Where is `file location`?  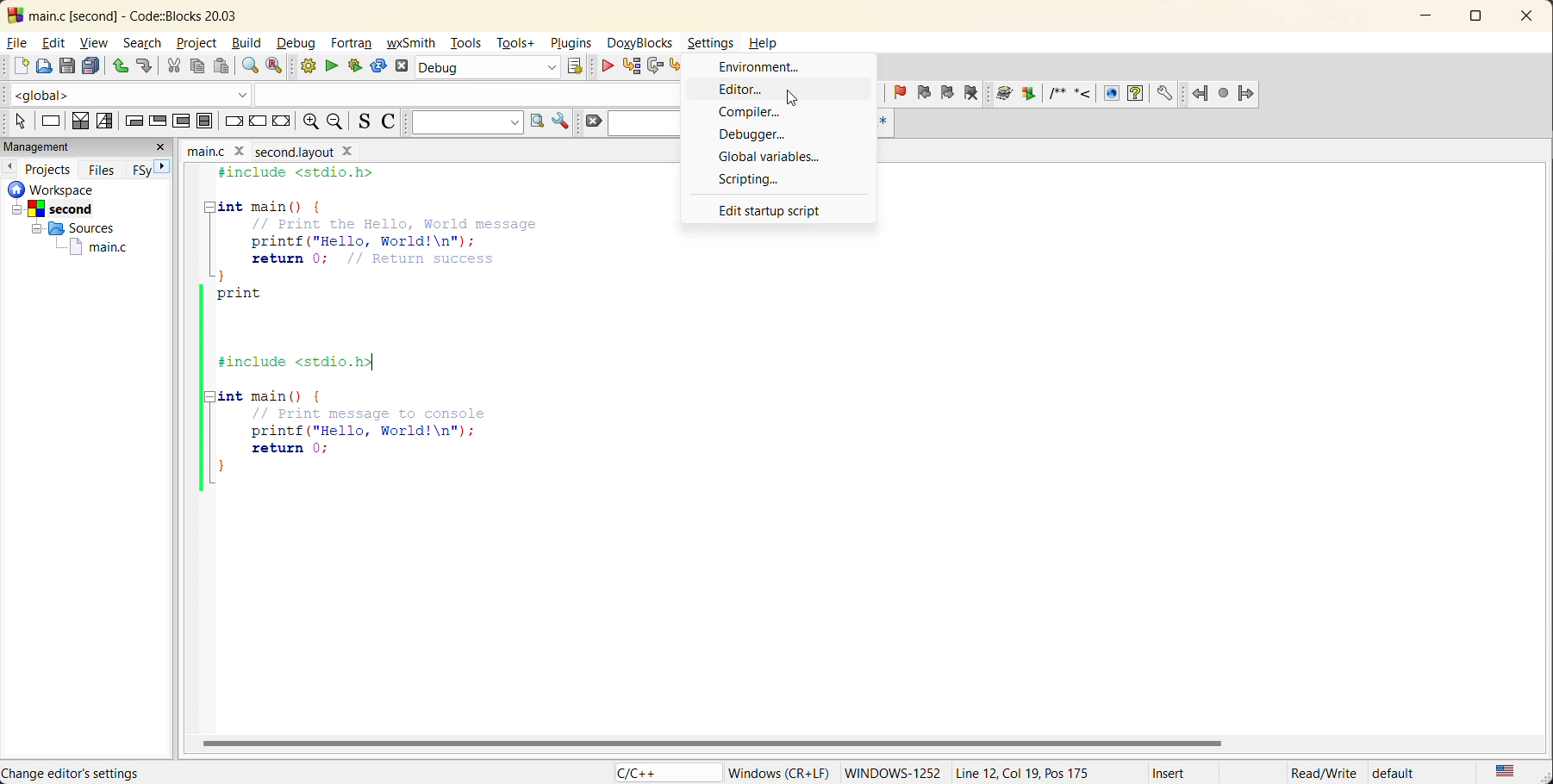 file location is located at coordinates (131, 772).